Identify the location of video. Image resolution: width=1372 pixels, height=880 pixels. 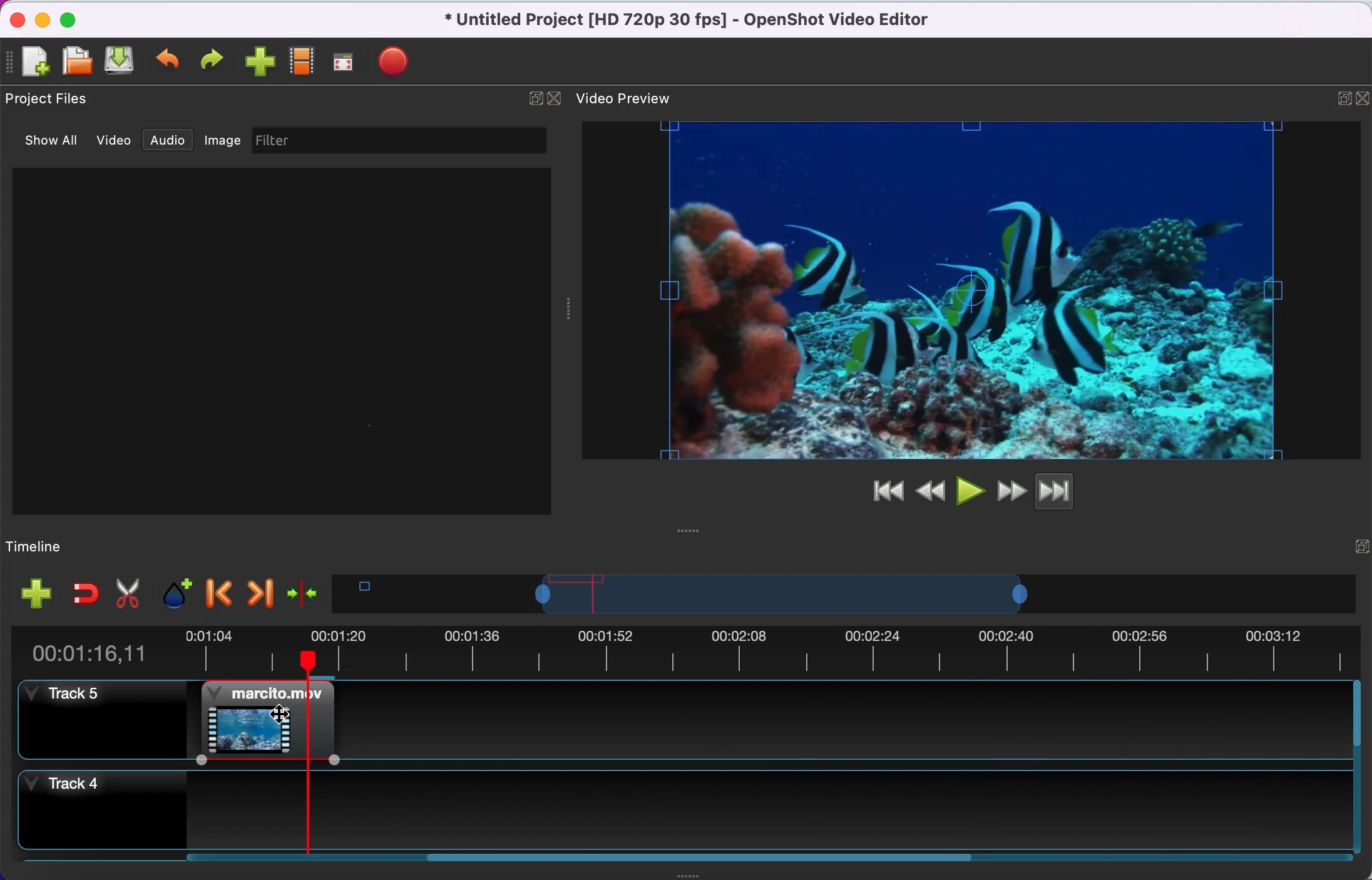
(108, 139).